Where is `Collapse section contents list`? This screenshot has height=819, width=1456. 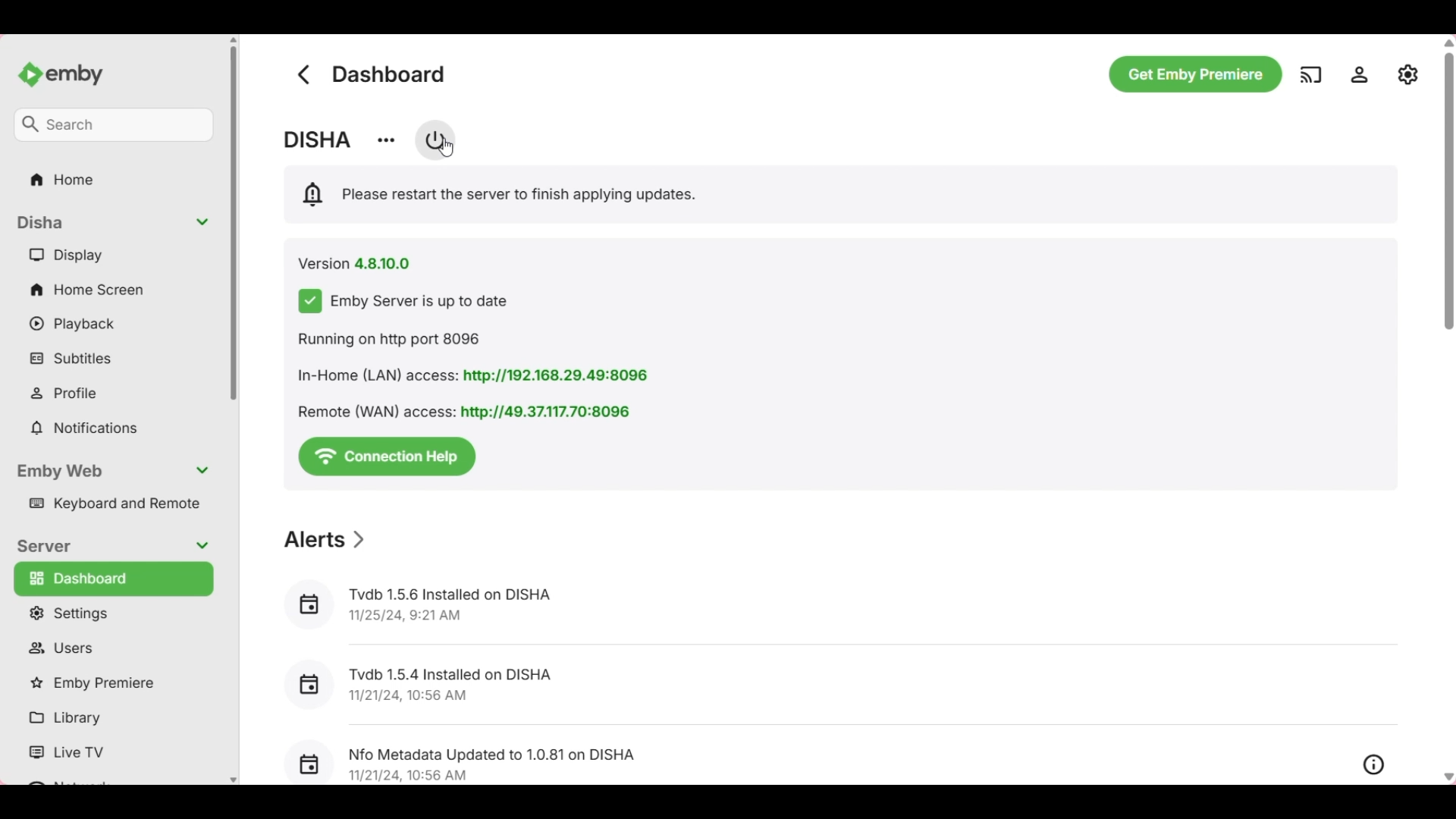 Collapse section contents list is located at coordinates (113, 223).